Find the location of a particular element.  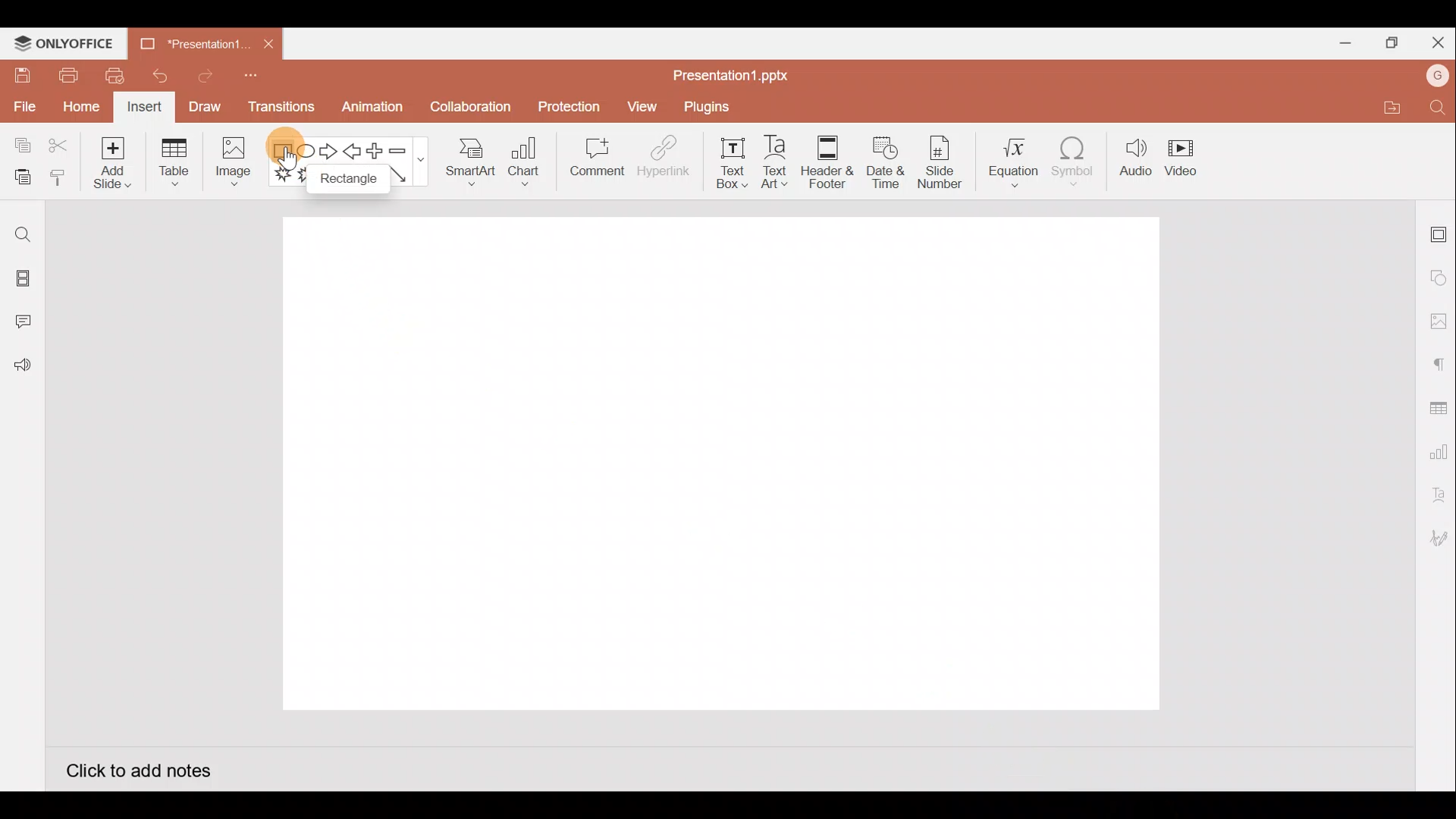

Video is located at coordinates (1183, 155).